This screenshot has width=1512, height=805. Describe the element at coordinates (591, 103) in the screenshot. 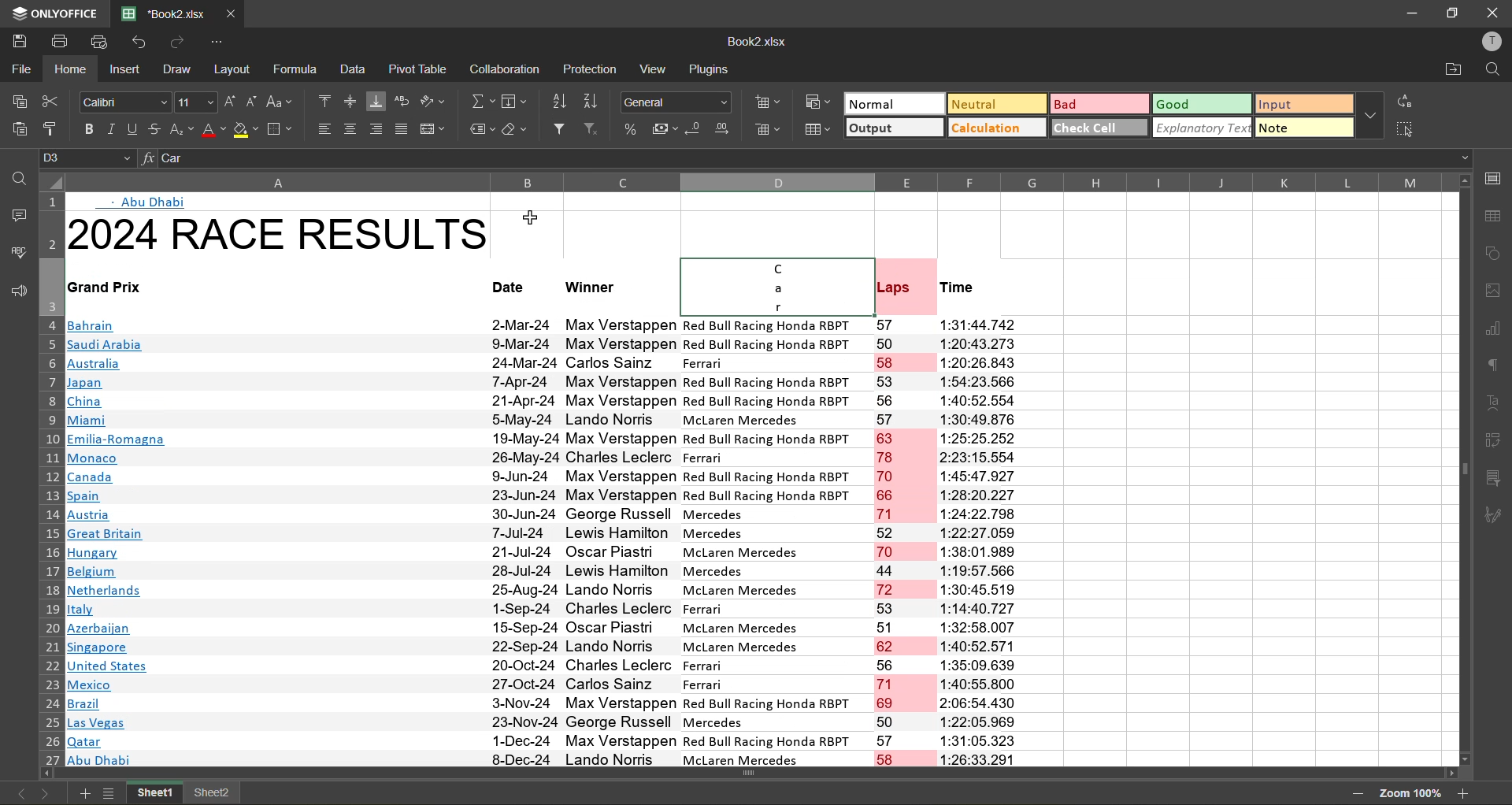

I see `sort descending` at that location.